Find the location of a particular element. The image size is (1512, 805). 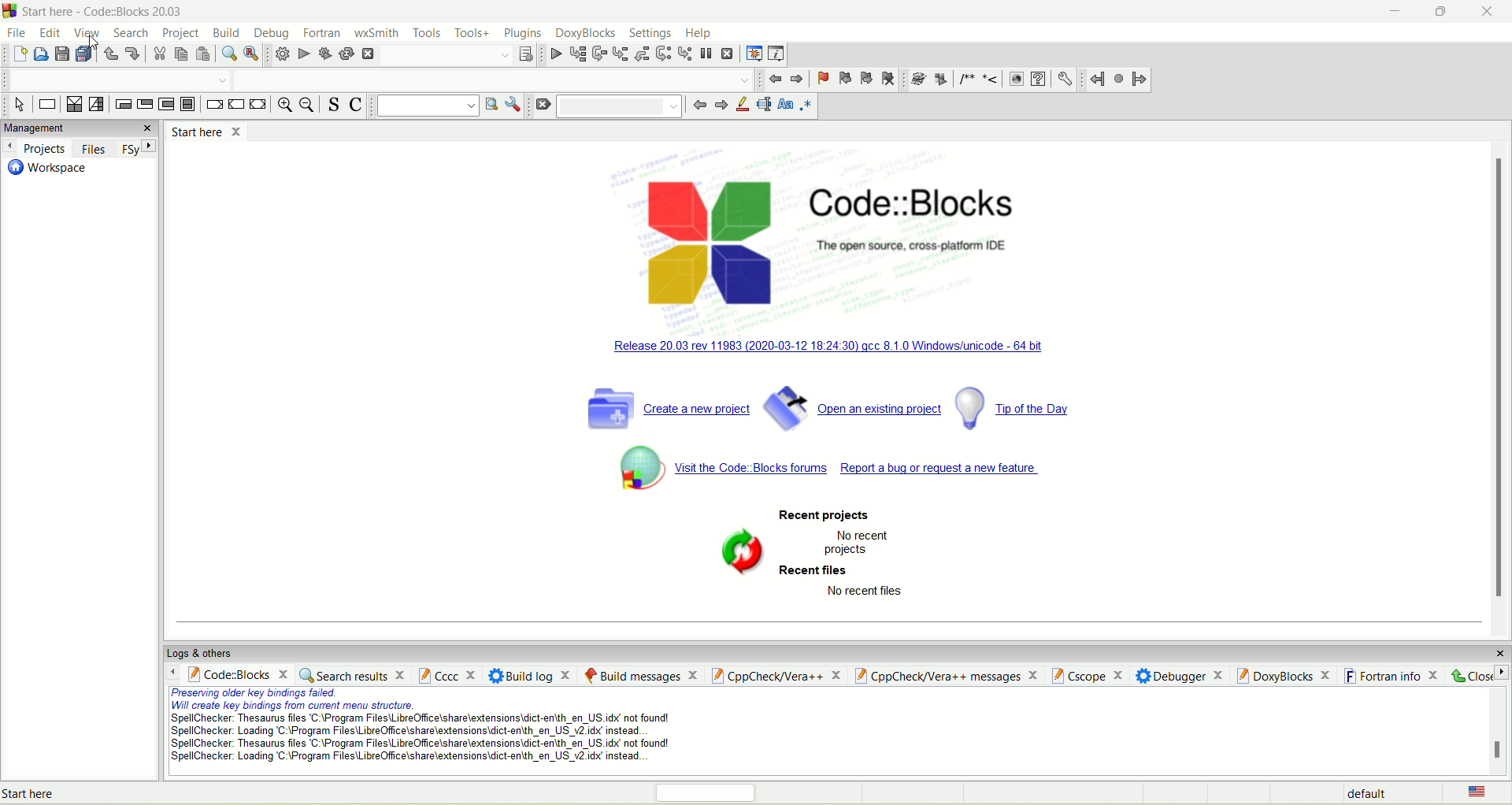

close is located at coordinates (1489, 17).